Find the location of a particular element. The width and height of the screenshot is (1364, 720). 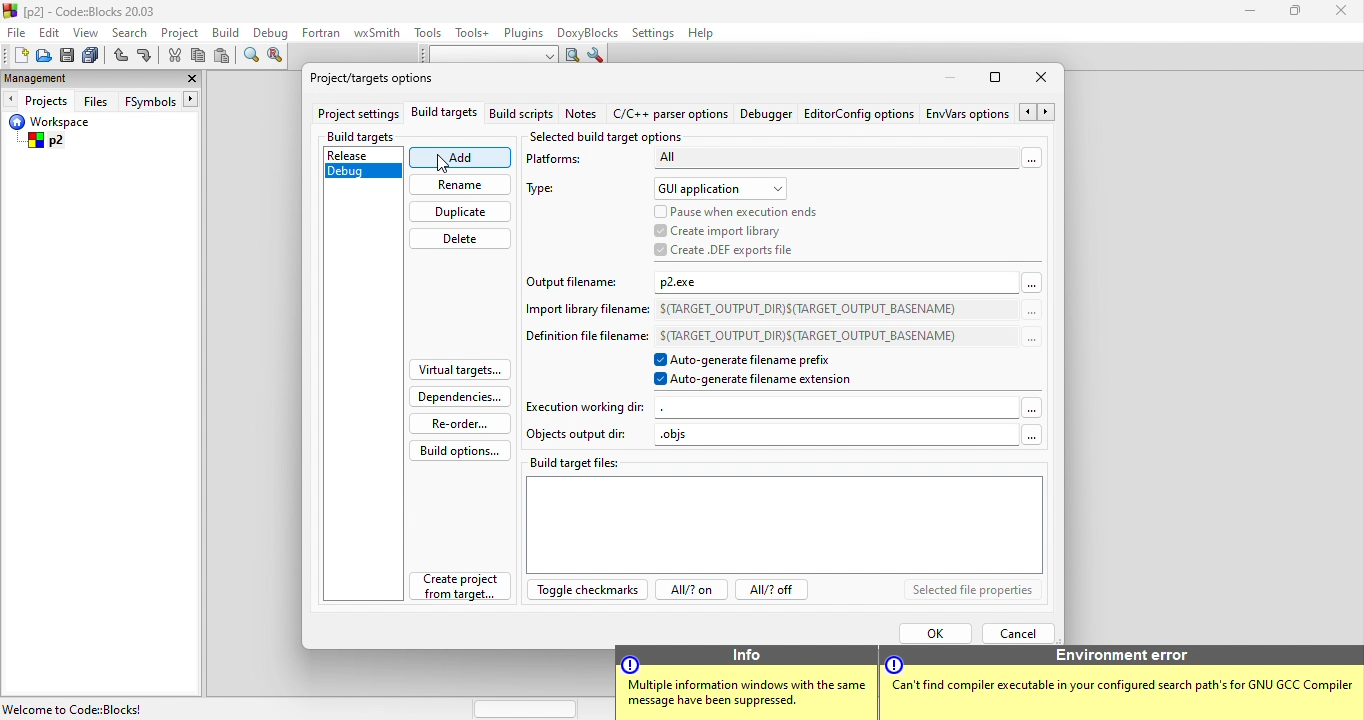

save is located at coordinates (69, 56).